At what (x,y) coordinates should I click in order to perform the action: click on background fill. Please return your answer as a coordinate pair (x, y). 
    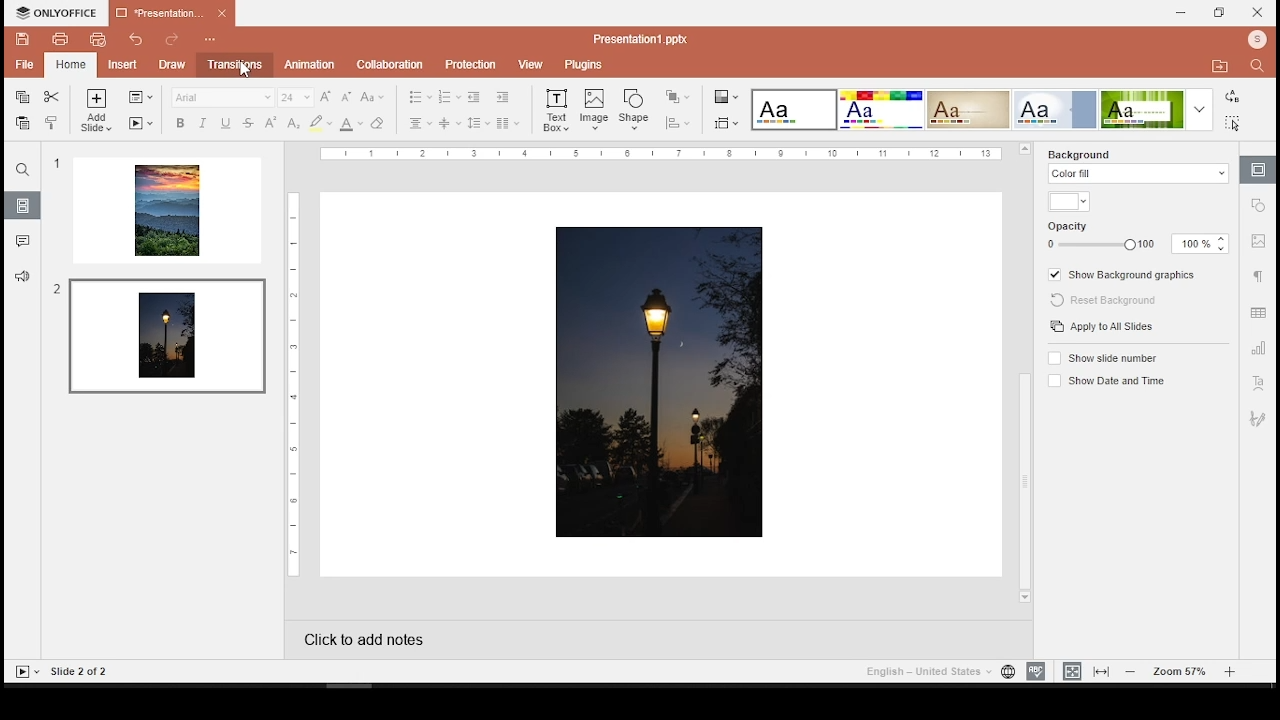
    Looking at the image, I should click on (1138, 166).